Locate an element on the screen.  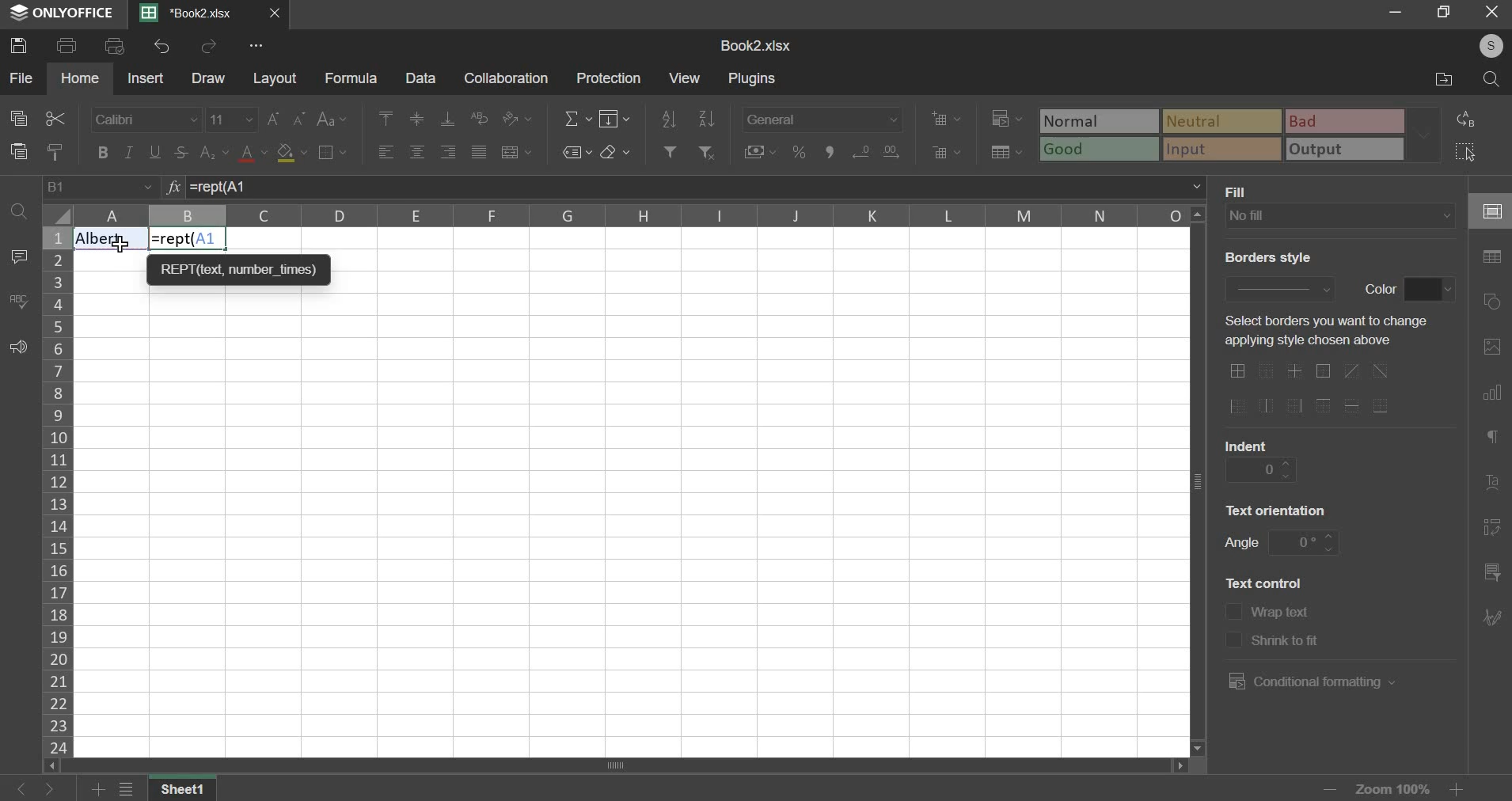
text is located at coordinates (1266, 256).